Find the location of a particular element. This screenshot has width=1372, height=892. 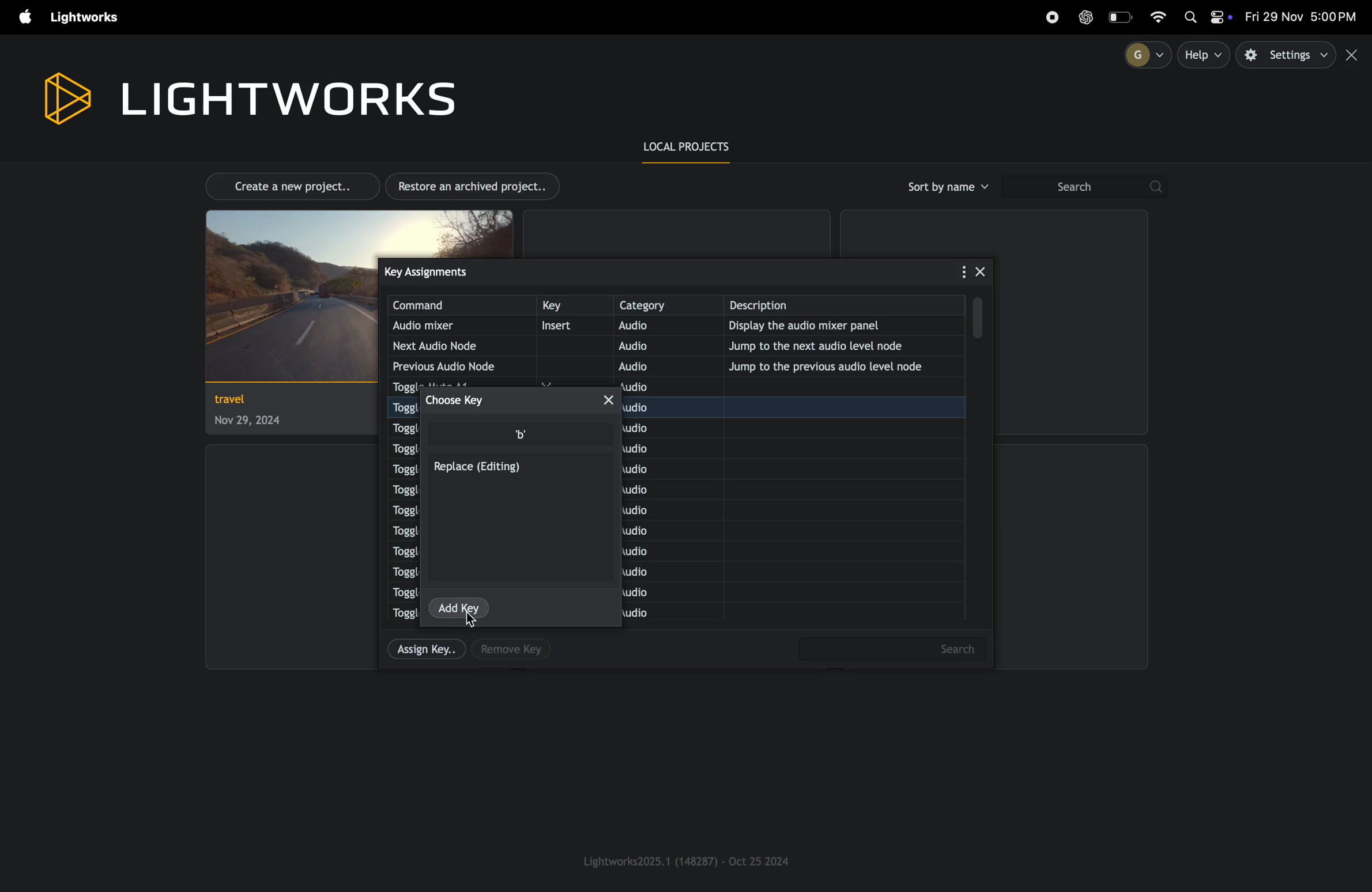

local prroject is located at coordinates (695, 148).